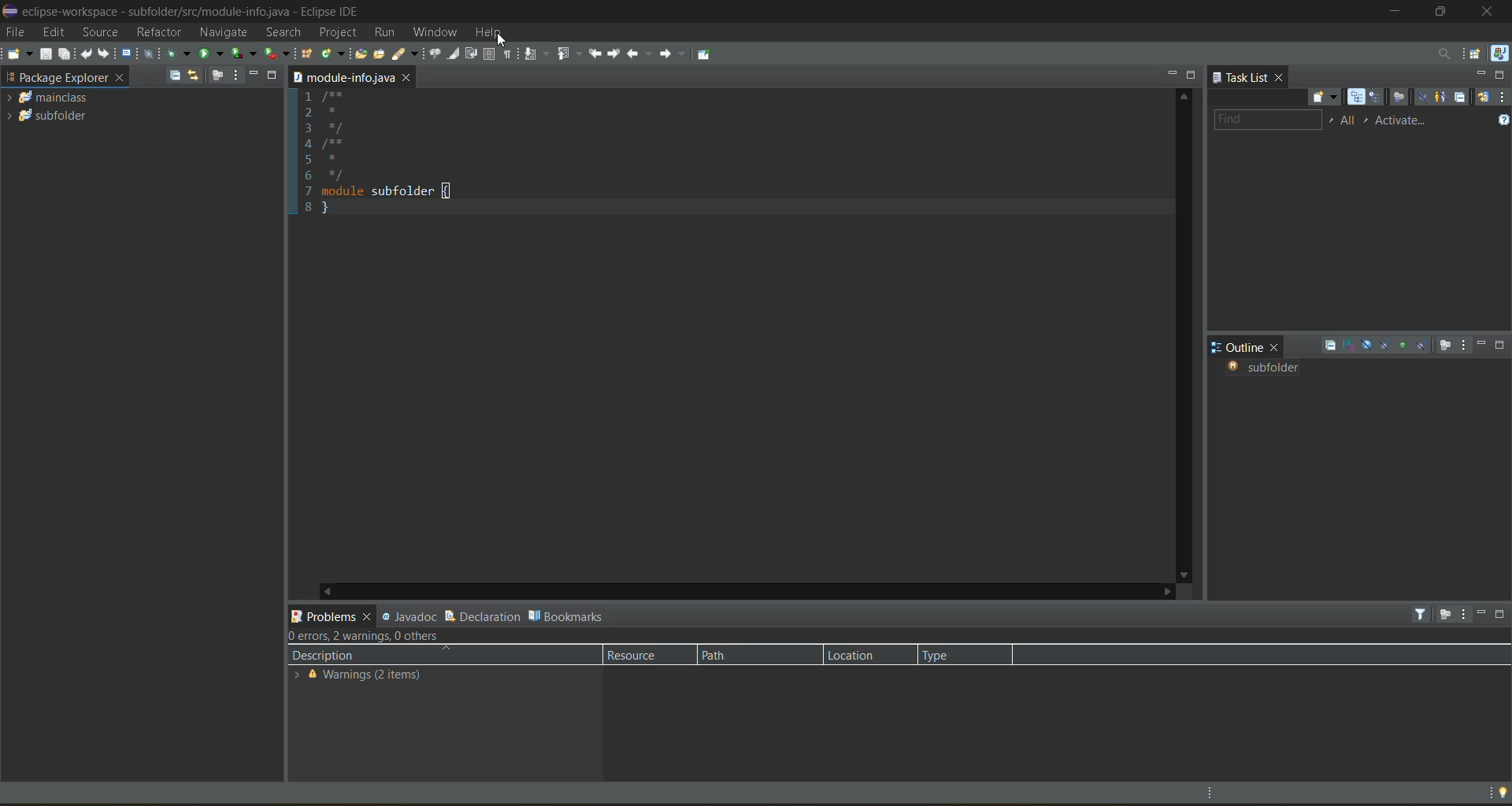 The height and width of the screenshot is (806, 1512). What do you see at coordinates (538, 55) in the screenshot?
I see `next annotation` at bounding box center [538, 55].